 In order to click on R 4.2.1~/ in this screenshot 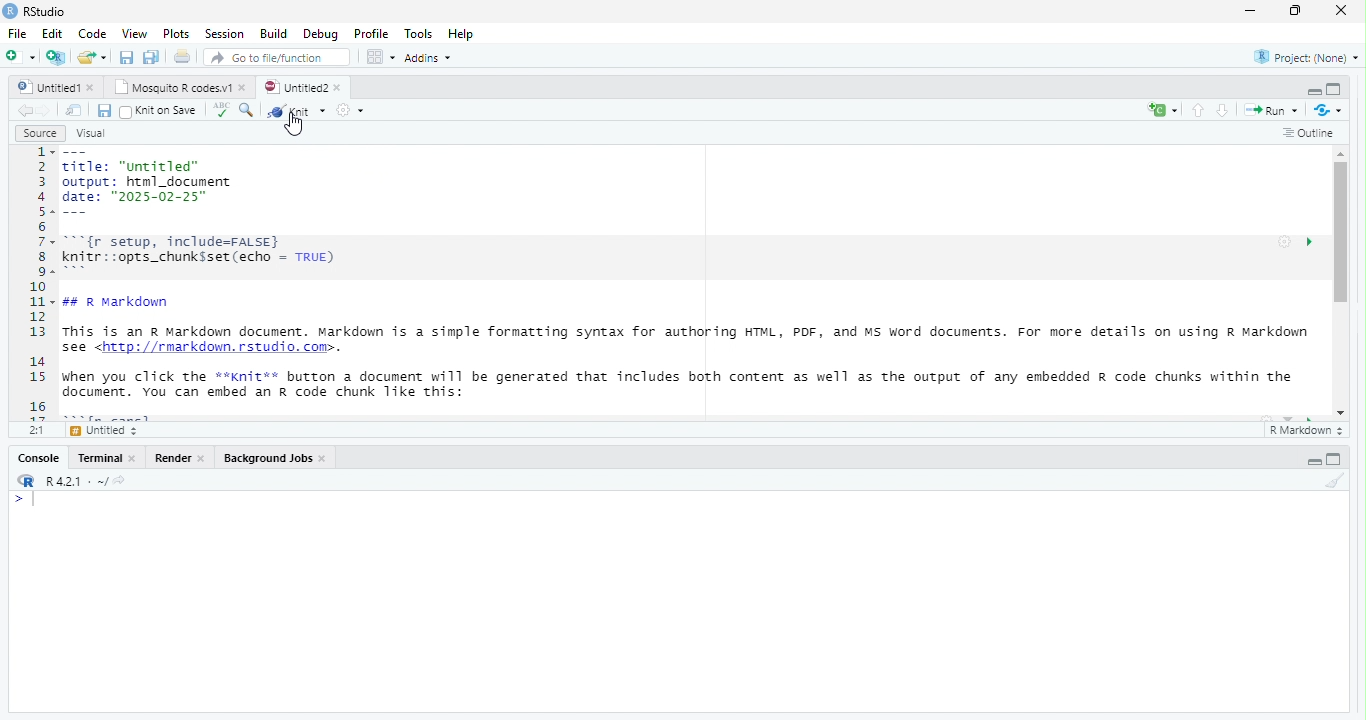, I will do `click(77, 482)`.